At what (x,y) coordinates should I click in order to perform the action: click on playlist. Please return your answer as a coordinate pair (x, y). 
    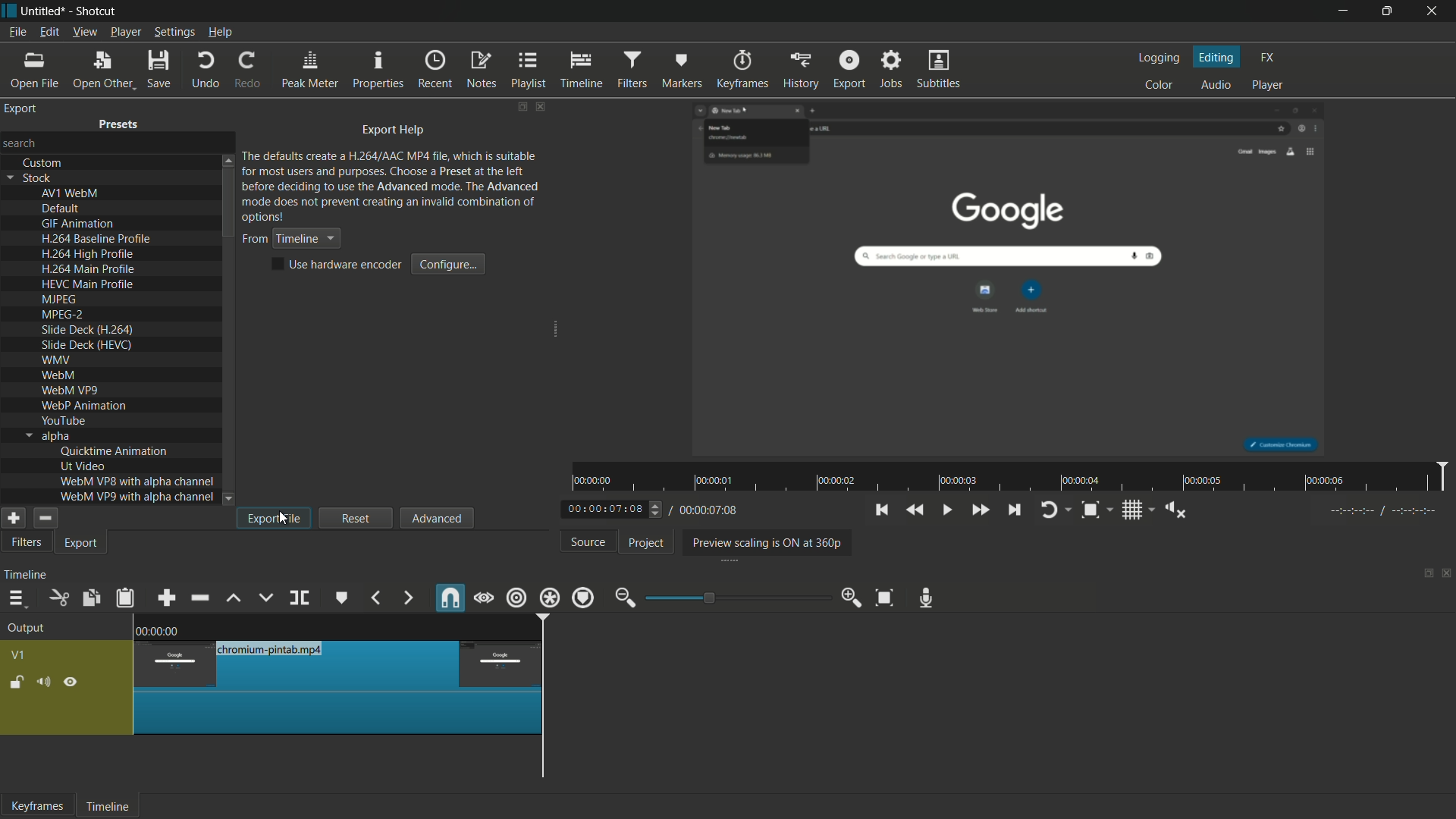
    Looking at the image, I should click on (529, 69).